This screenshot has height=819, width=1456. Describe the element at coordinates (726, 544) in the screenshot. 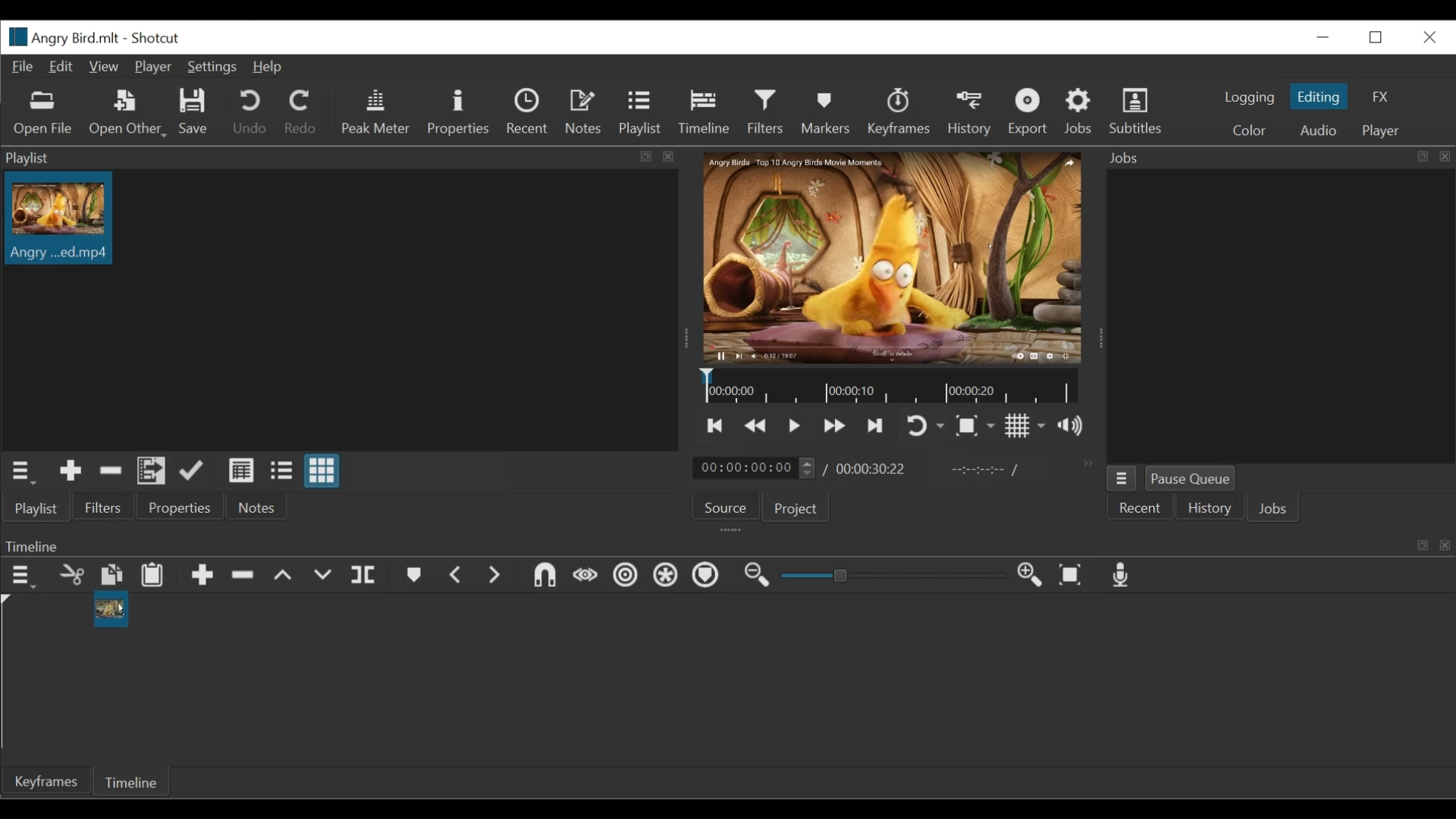

I see `Timeline` at that location.